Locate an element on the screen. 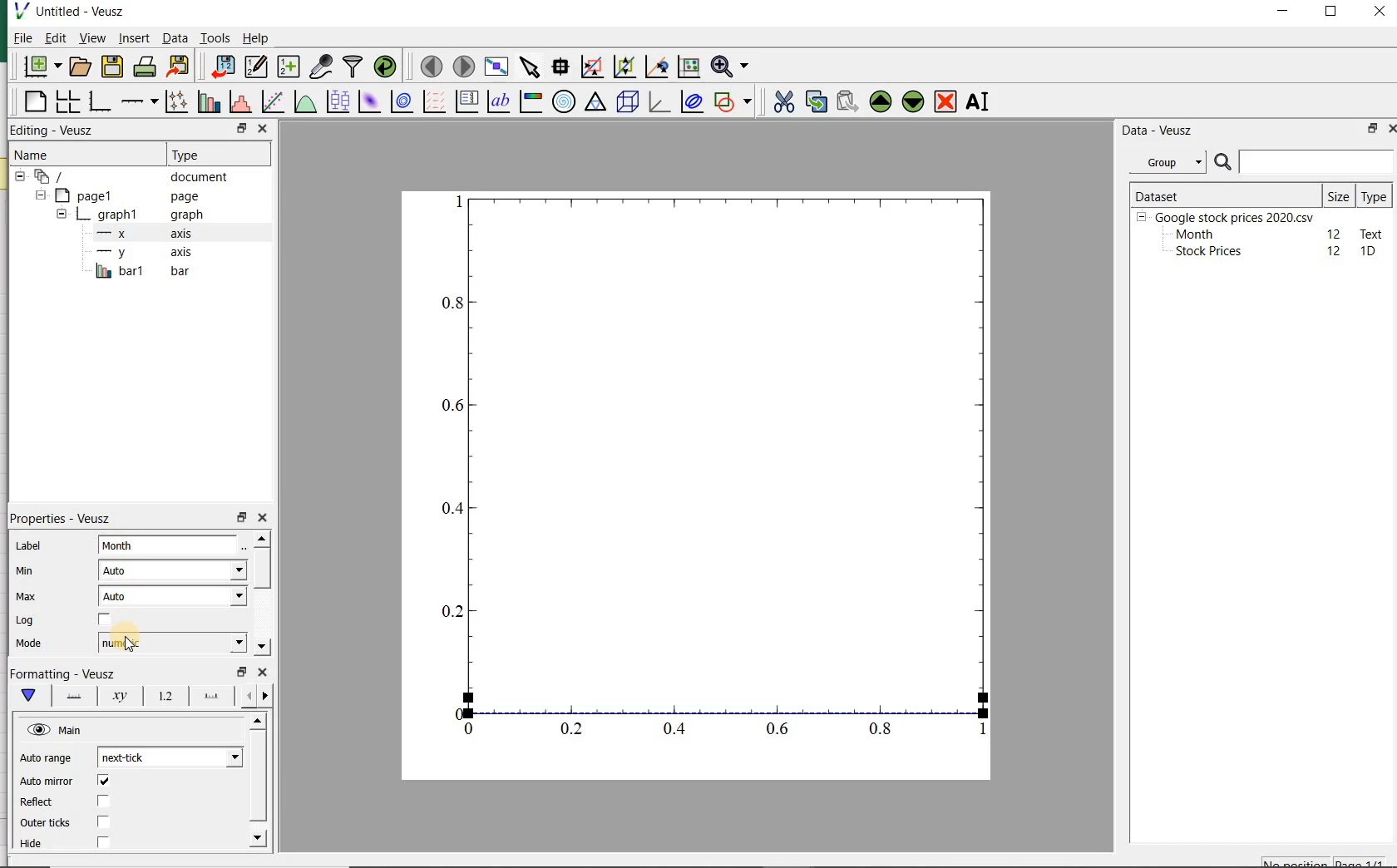 This screenshot has height=868, width=1397. print the document is located at coordinates (145, 68).